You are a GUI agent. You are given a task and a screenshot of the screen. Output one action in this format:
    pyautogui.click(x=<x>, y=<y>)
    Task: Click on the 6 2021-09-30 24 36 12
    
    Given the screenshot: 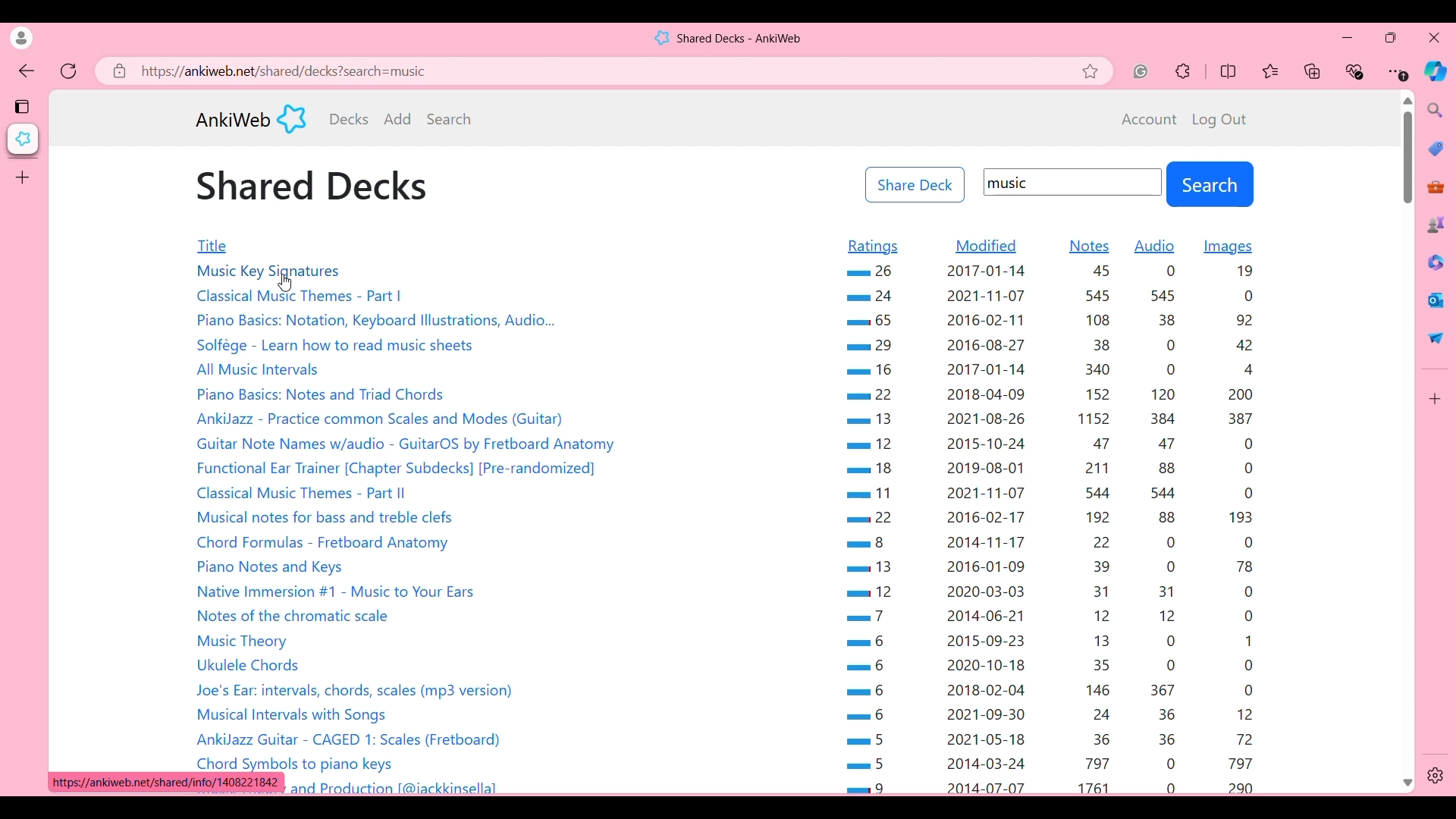 What is the action you would take?
    pyautogui.click(x=1056, y=715)
    